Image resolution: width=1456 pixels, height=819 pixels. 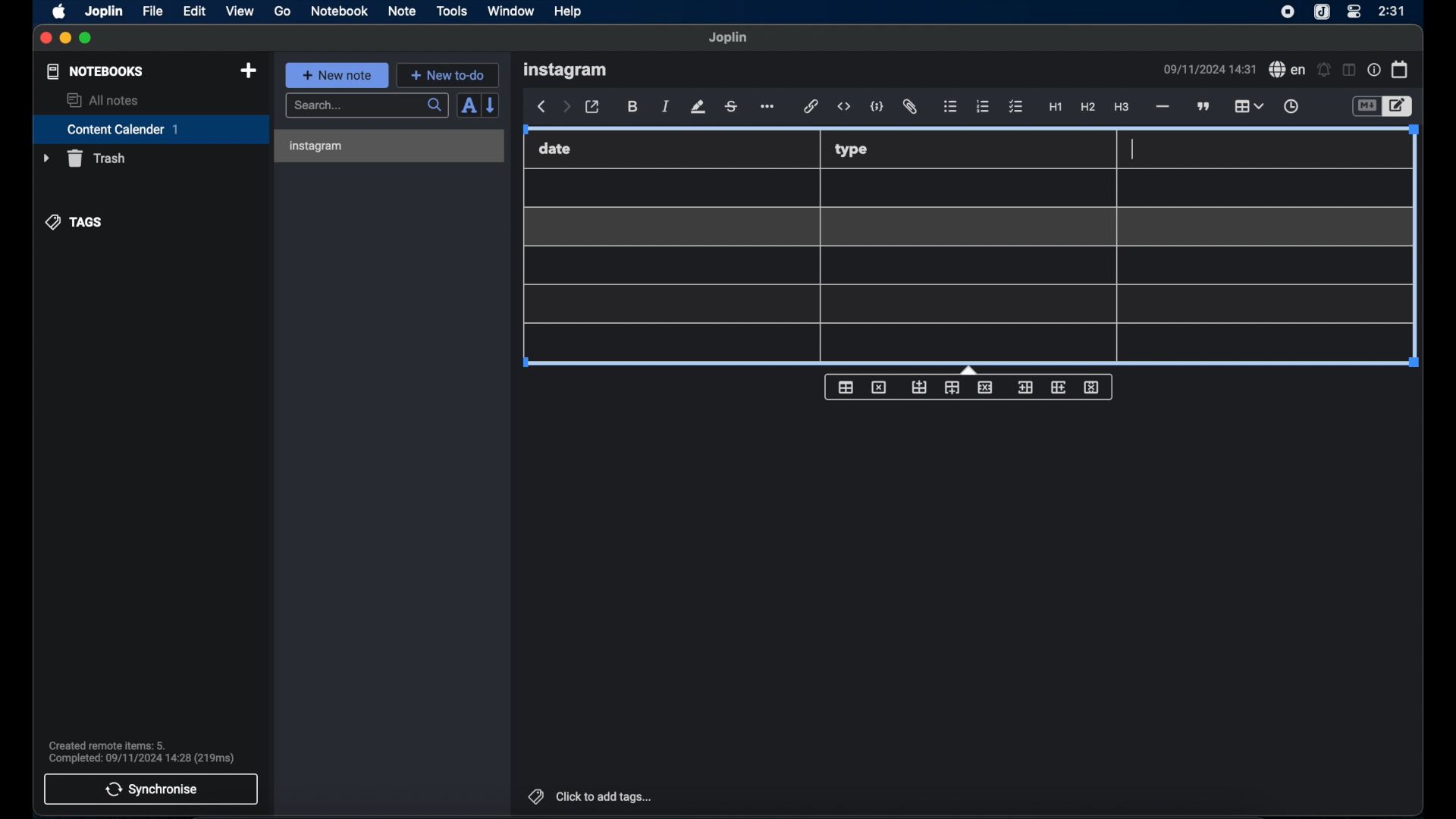 What do you see at coordinates (876, 106) in the screenshot?
I see `code` at bounding box center [876, 106].